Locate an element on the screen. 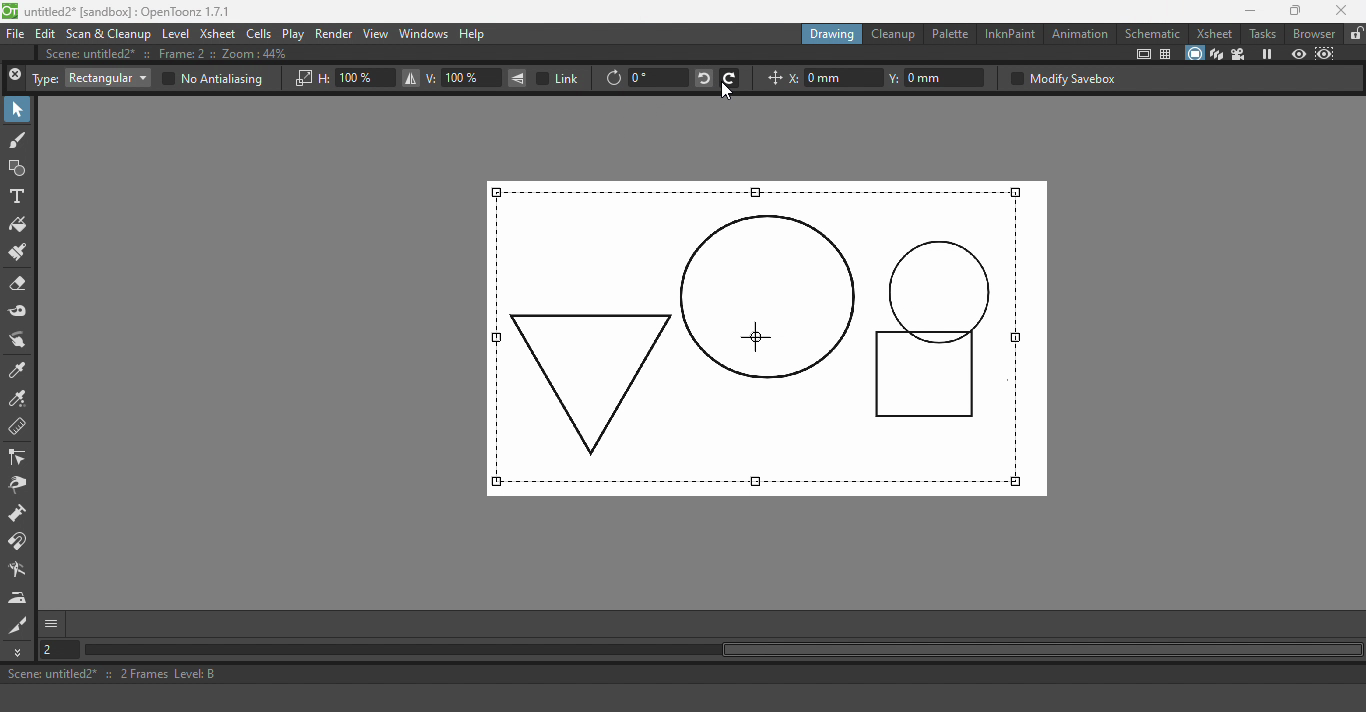  Edit is located at coordinates (46, 35).